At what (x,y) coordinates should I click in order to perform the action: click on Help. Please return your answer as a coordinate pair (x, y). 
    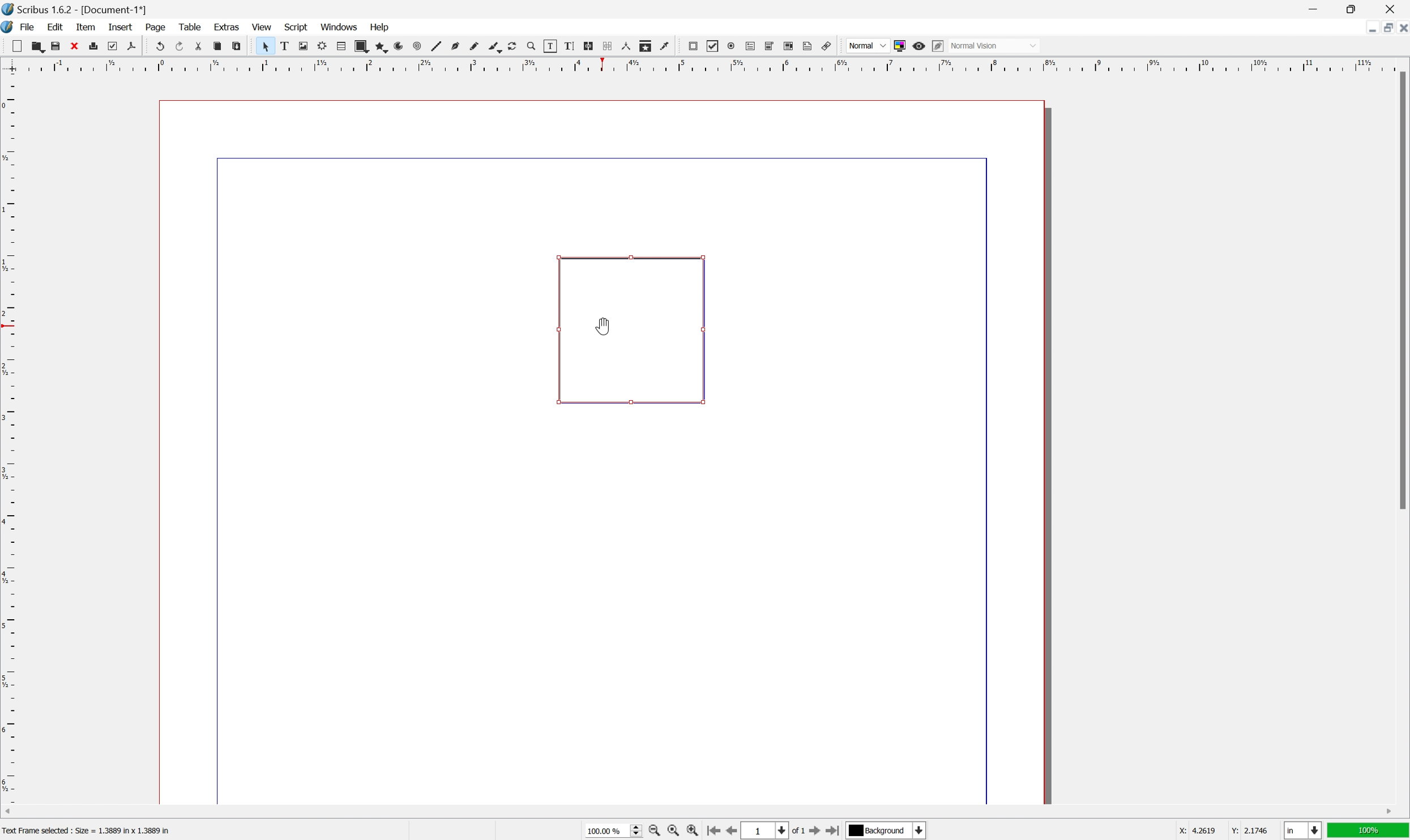
    Looking at the image, I should click on (381, 28).